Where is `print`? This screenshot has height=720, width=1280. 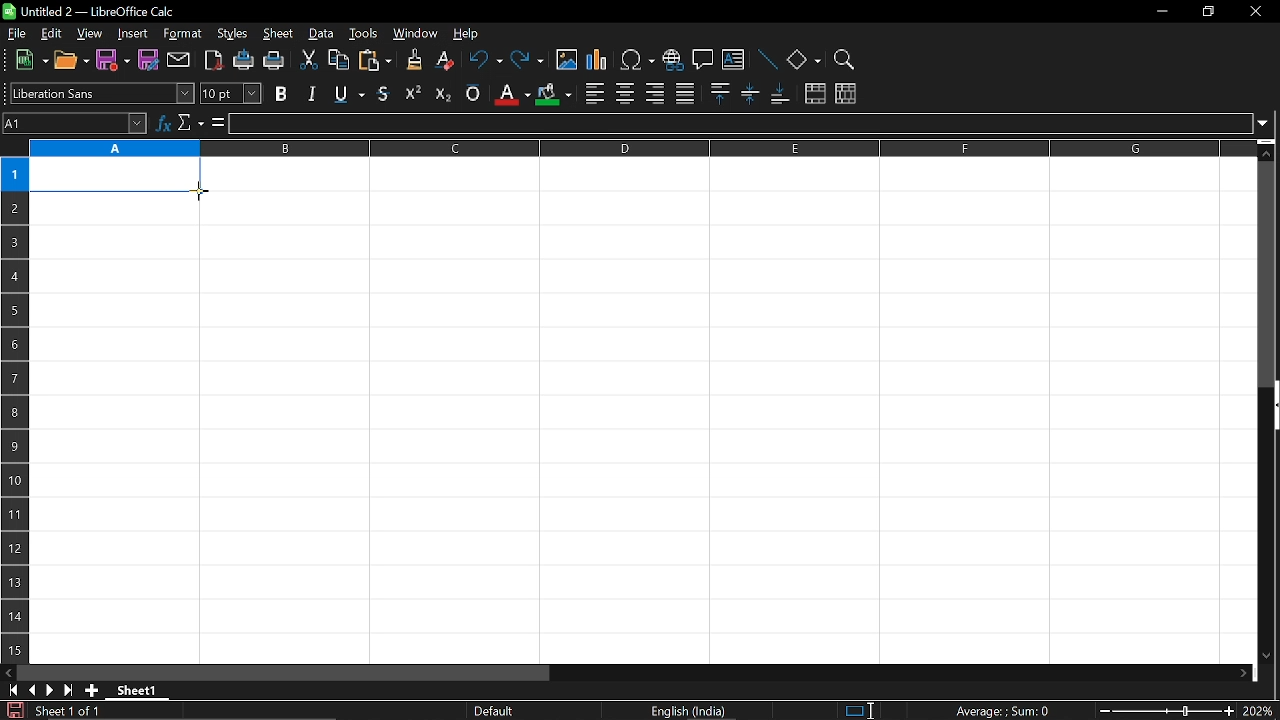
print is located at coordinates (275, 61).